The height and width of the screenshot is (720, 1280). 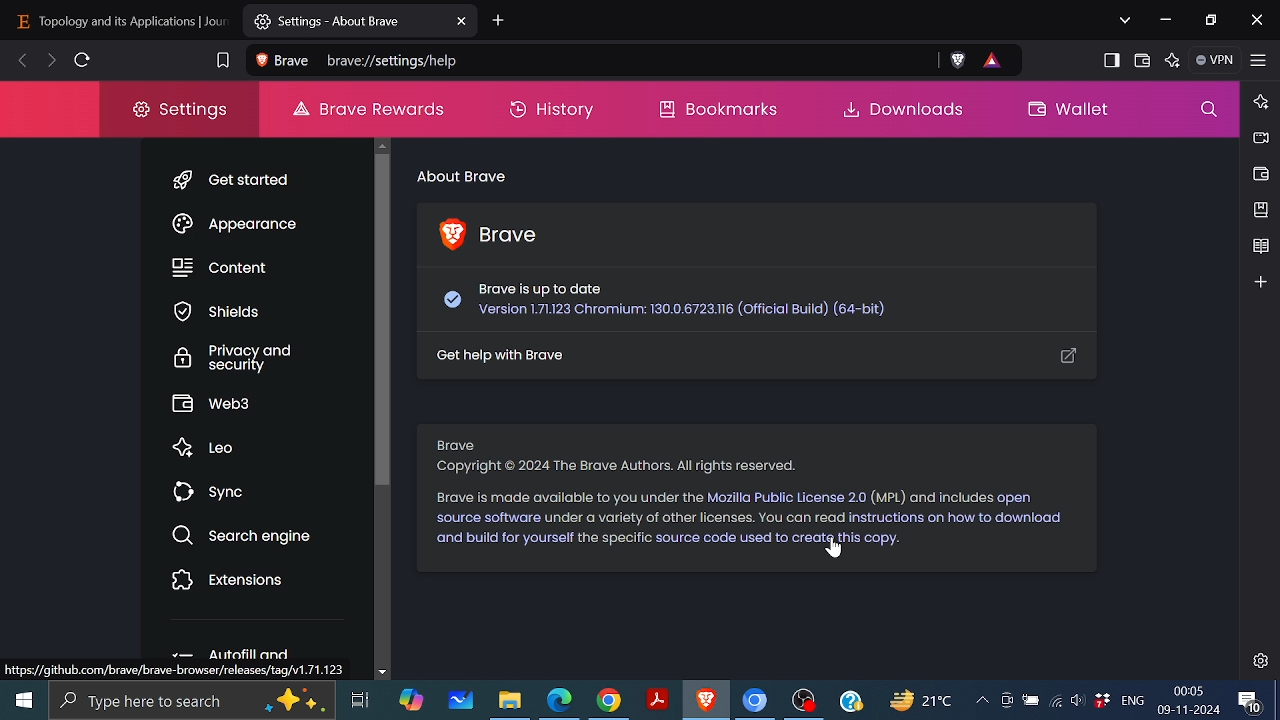 What do you see at coordinates (755, 702) in the screenshot?
I see `Chromium` at bounding box center [755, 702].